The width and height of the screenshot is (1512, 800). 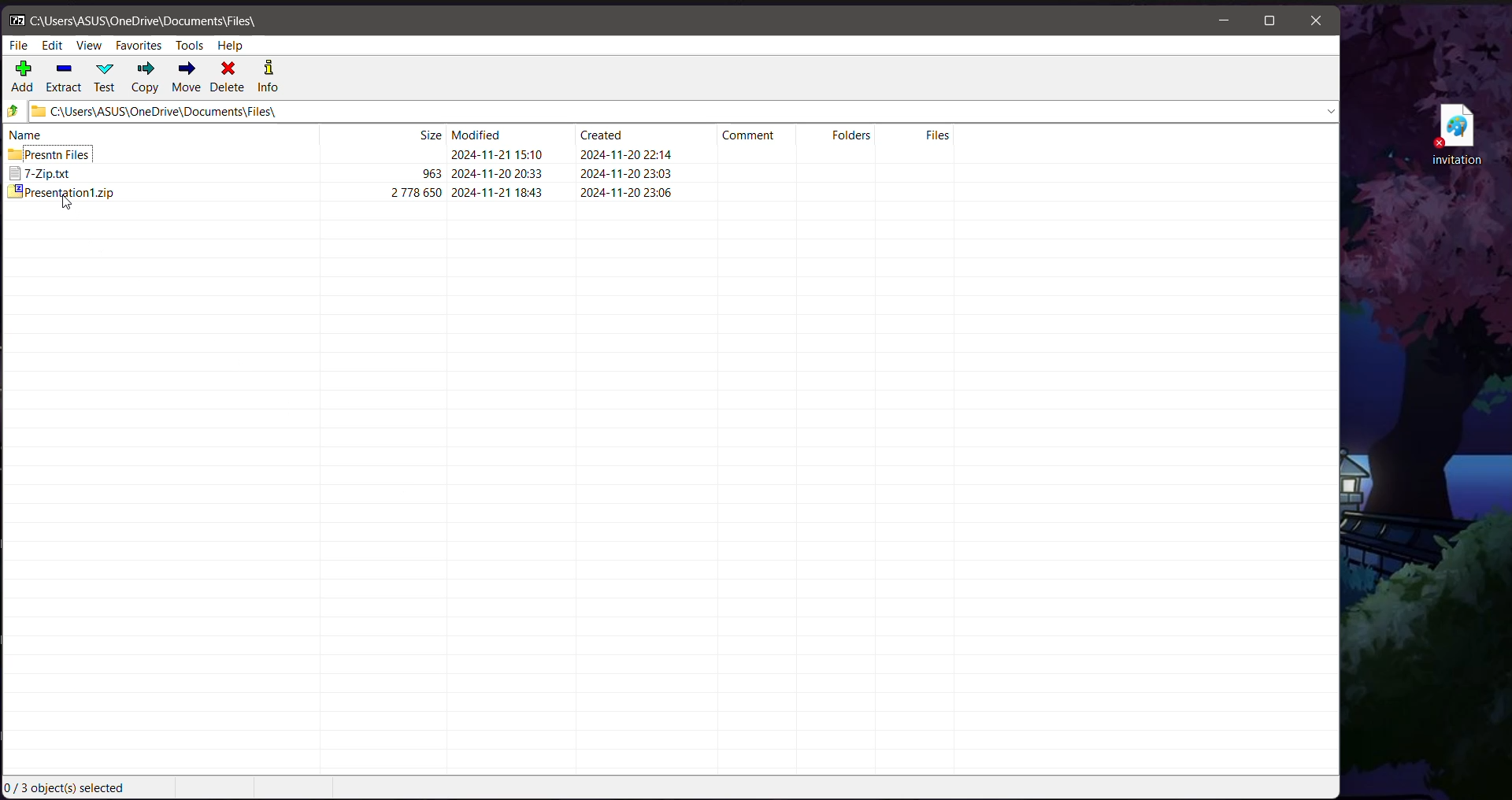 I want to click on Files, so click(x=937, y=135).